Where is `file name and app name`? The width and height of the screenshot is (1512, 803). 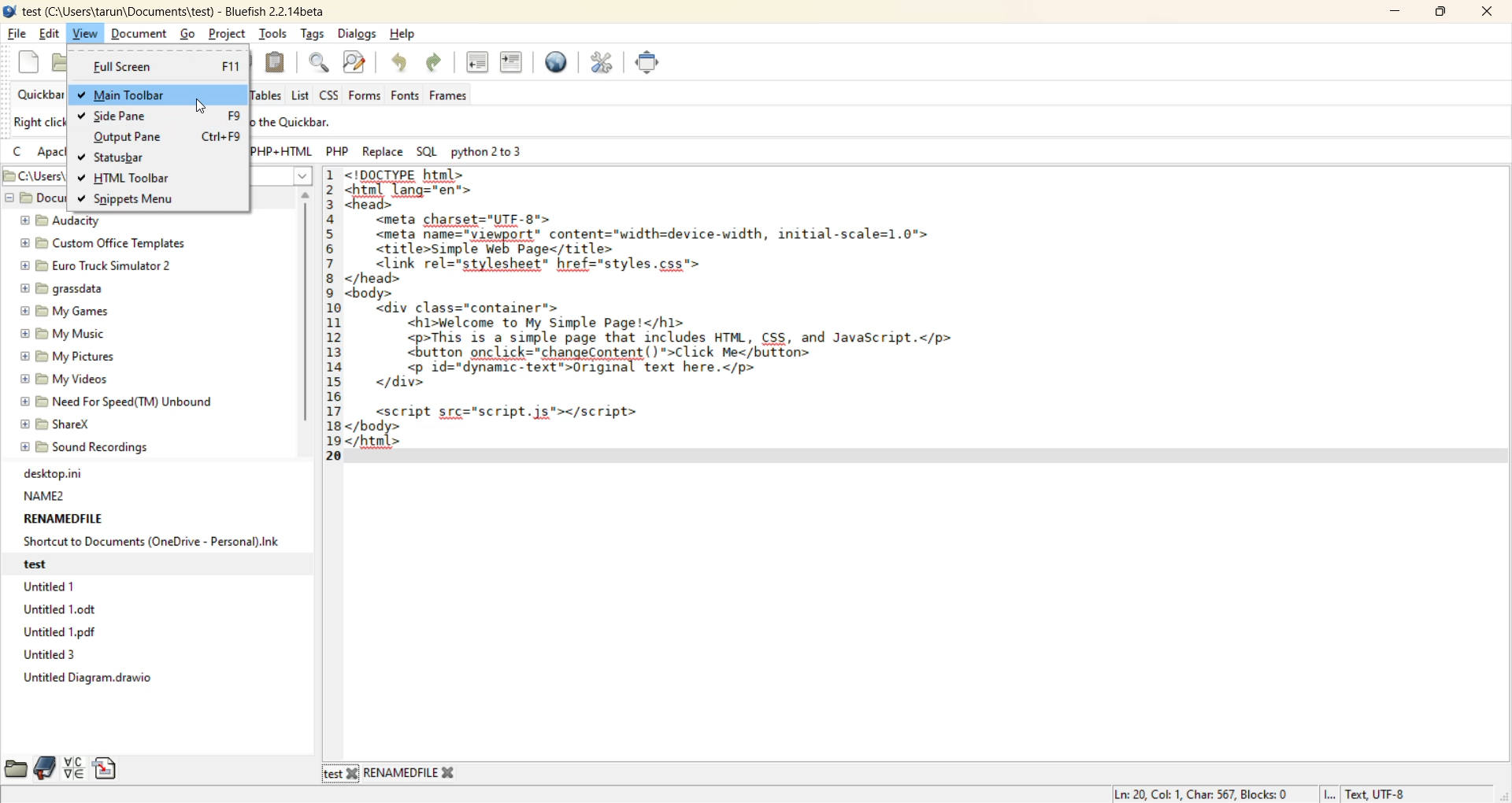
file name and app name is located at coordinates (171, 9).